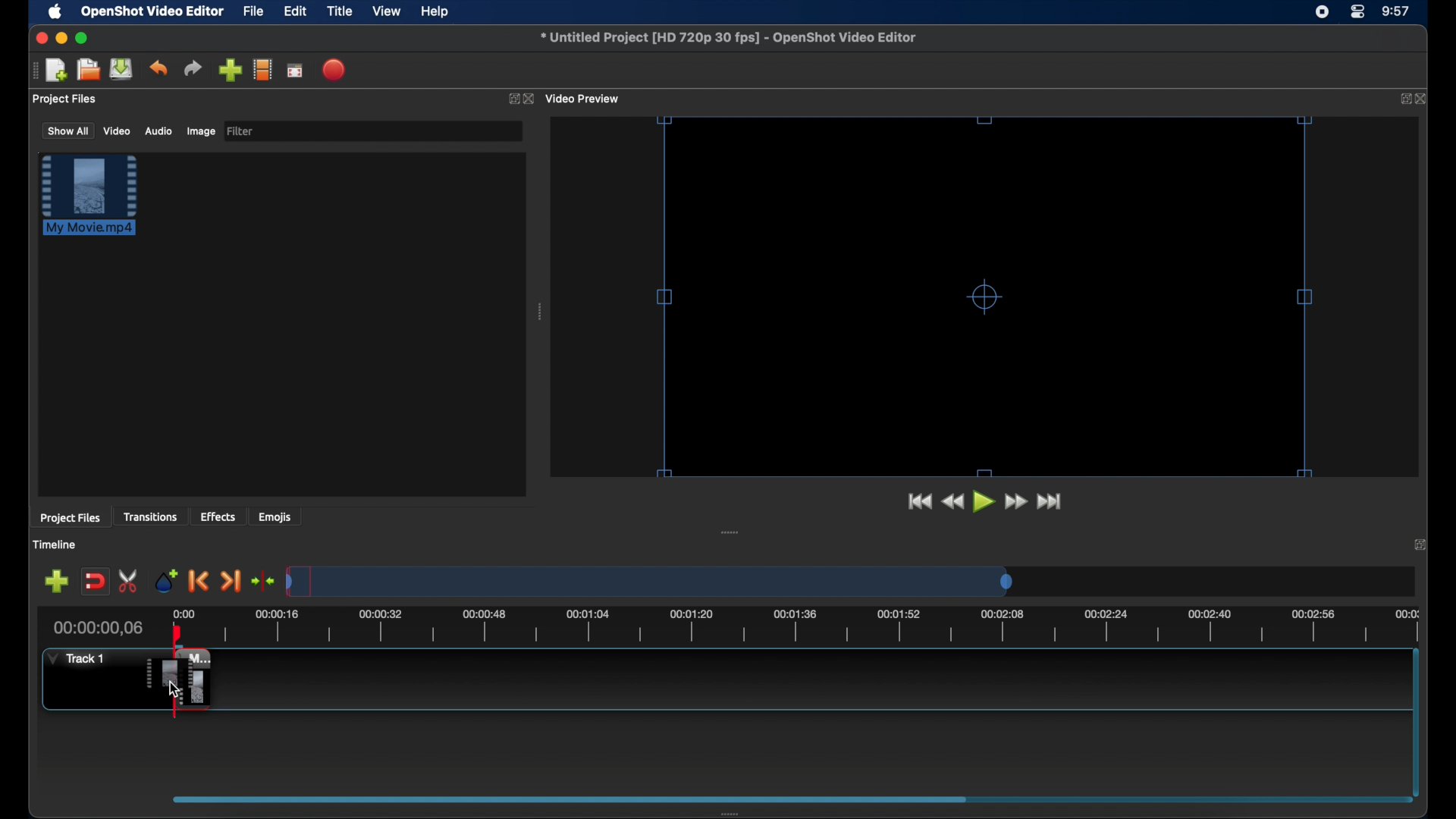 This screenshot has width=1456, height=819. I want to click on edit, so click(295, 12).